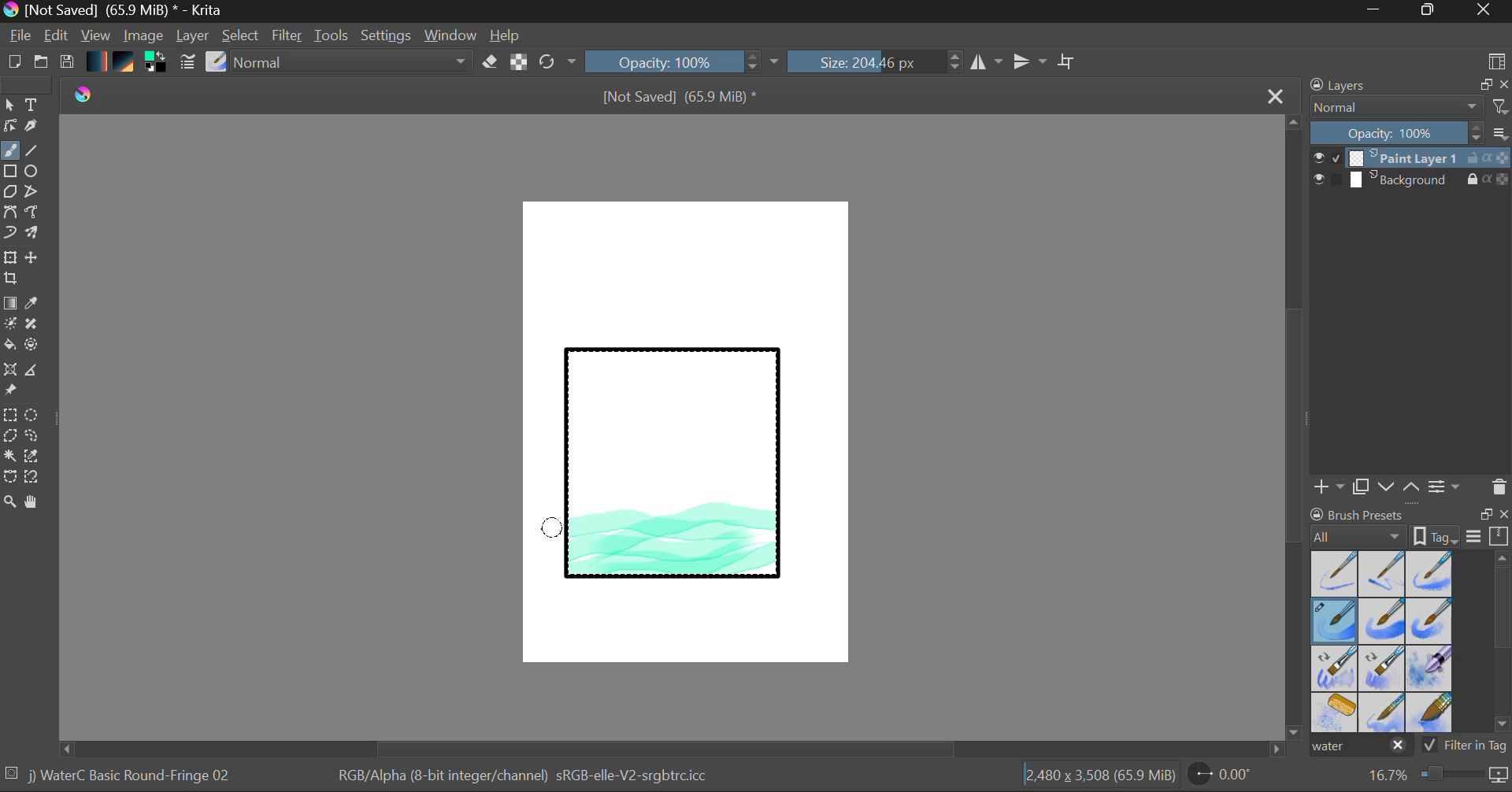  What do you see at coordinates (195, 35) in the screenshot?
I see `Layer` at bounding box center [195, 35].